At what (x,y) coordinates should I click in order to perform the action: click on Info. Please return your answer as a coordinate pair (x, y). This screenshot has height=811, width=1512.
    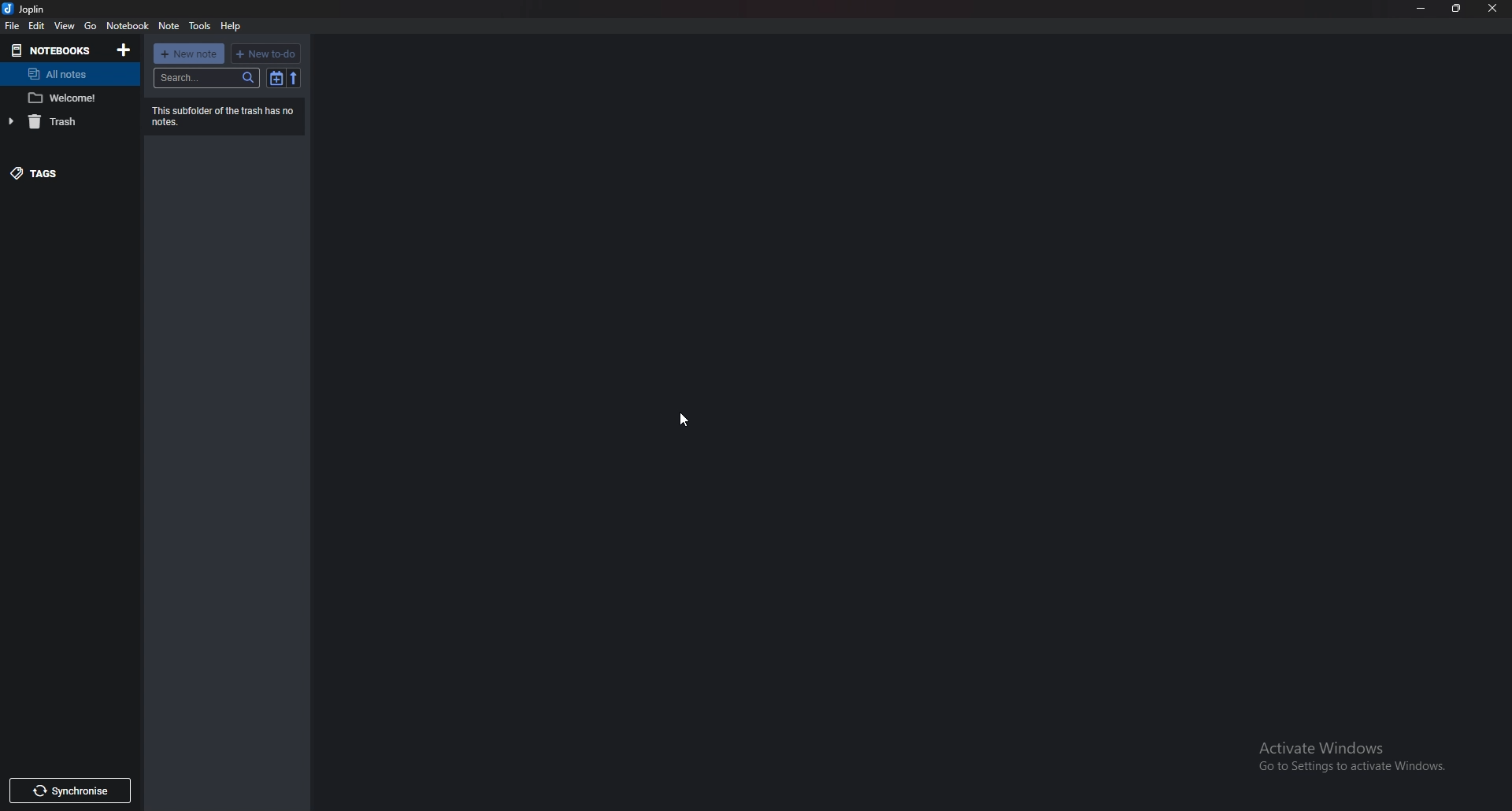
    Looking at the image, I should click on (224, 116).